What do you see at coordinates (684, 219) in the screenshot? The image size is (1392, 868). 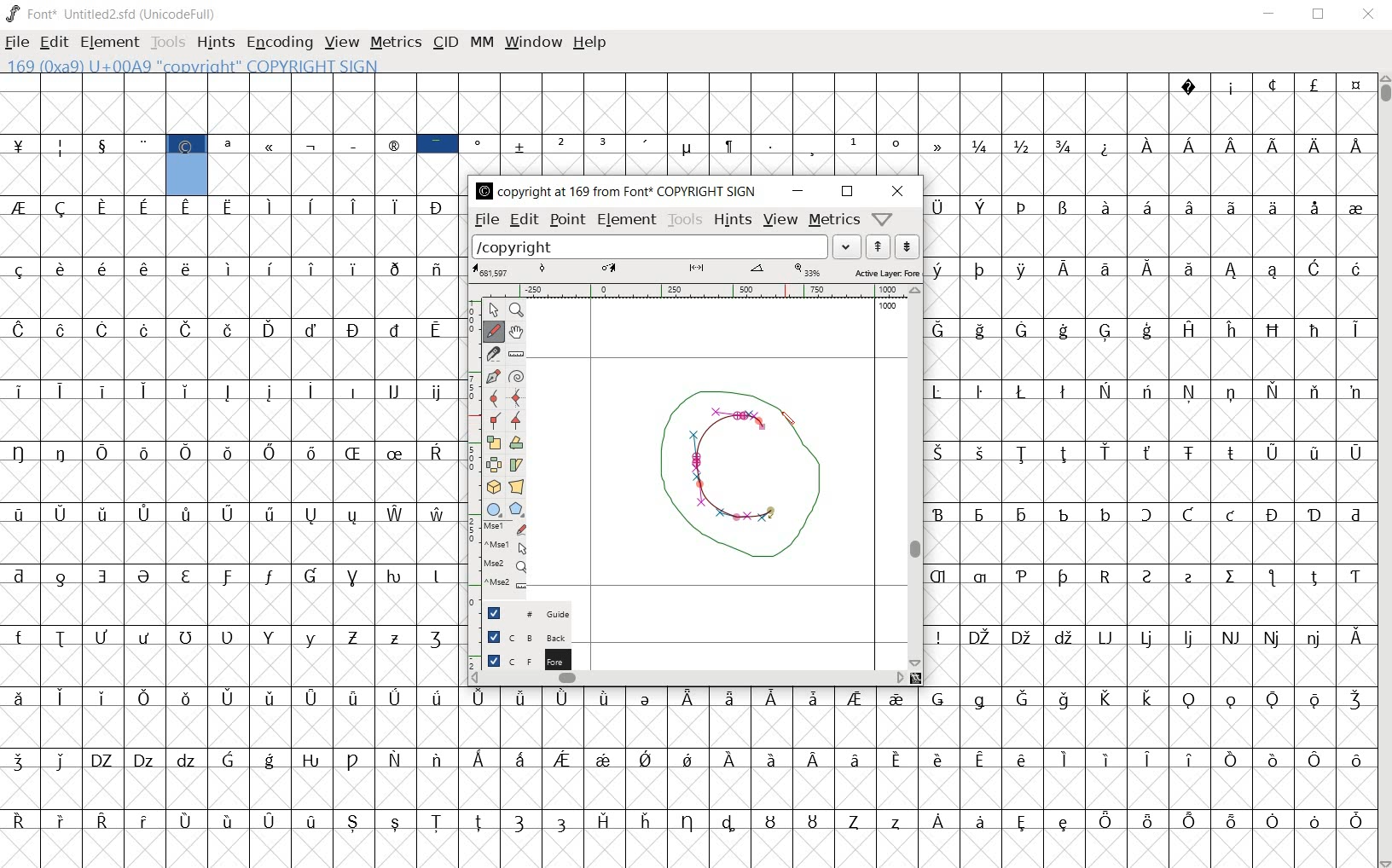 I see `tools` at bounding box center [684, 219].